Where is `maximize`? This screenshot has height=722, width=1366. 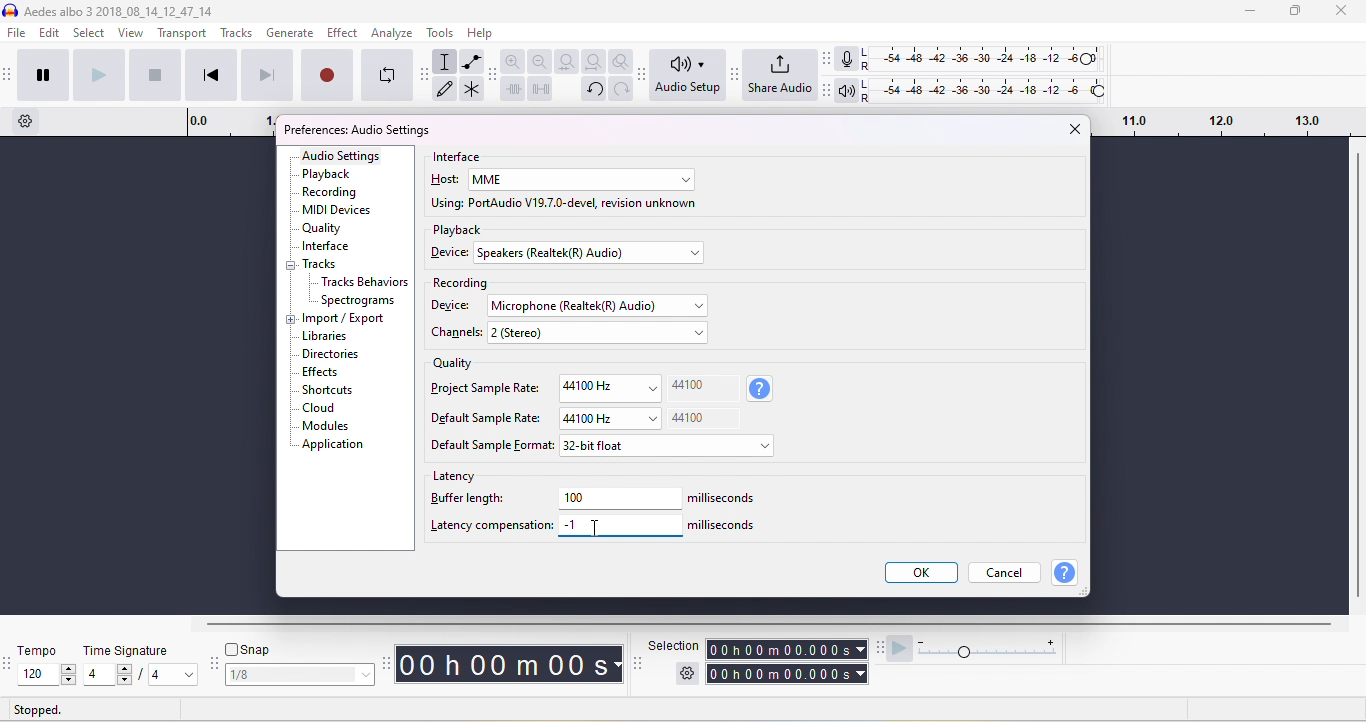 maximize is located at coordinates (1294, 11).